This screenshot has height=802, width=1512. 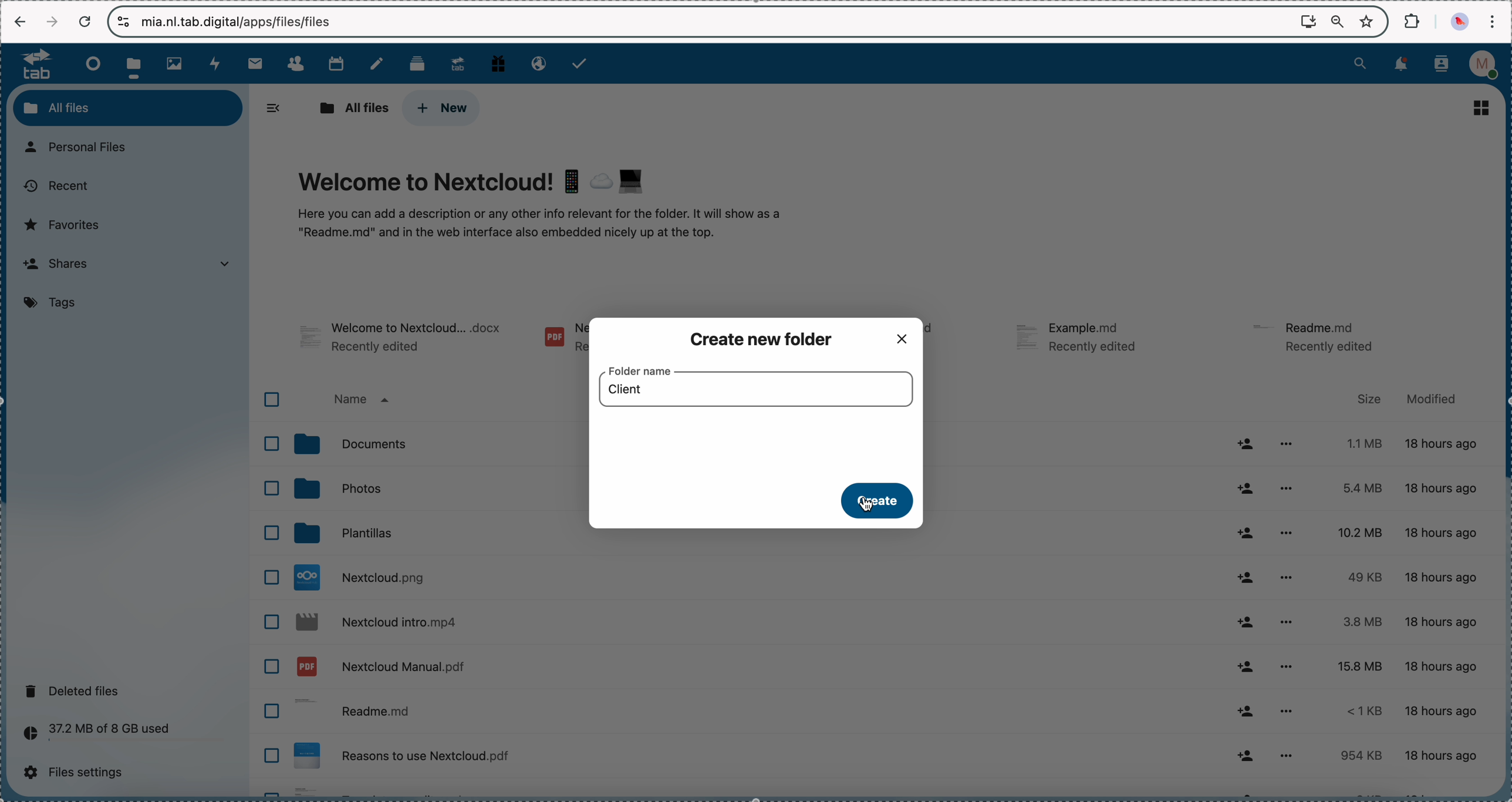 What do you see at coordinates (362, 401) in the screenshot?
I see `name` at bounding box center [362, 401].